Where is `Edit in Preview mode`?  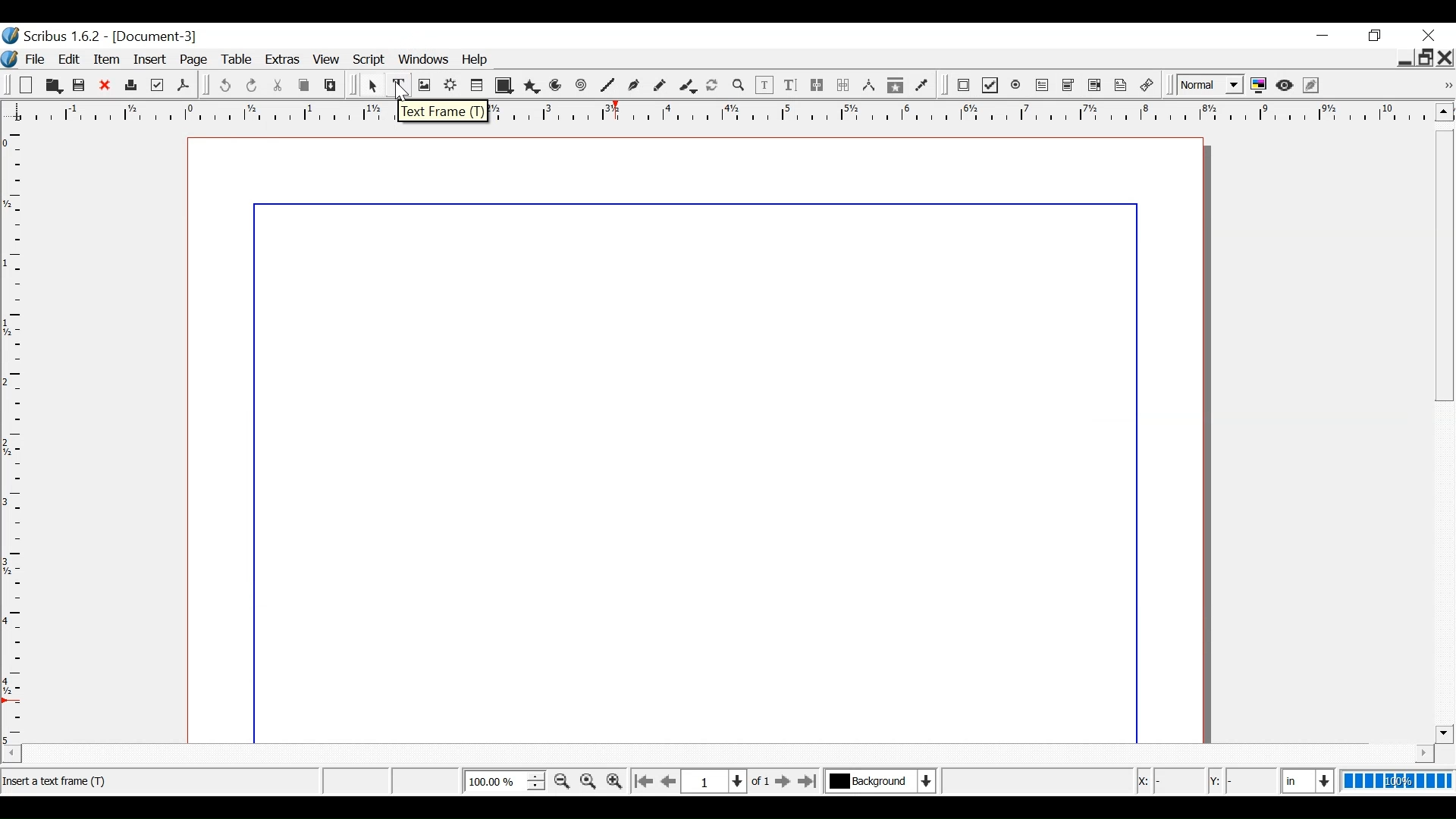 Edit in Preview mode is located at coordinates (1313, 85).